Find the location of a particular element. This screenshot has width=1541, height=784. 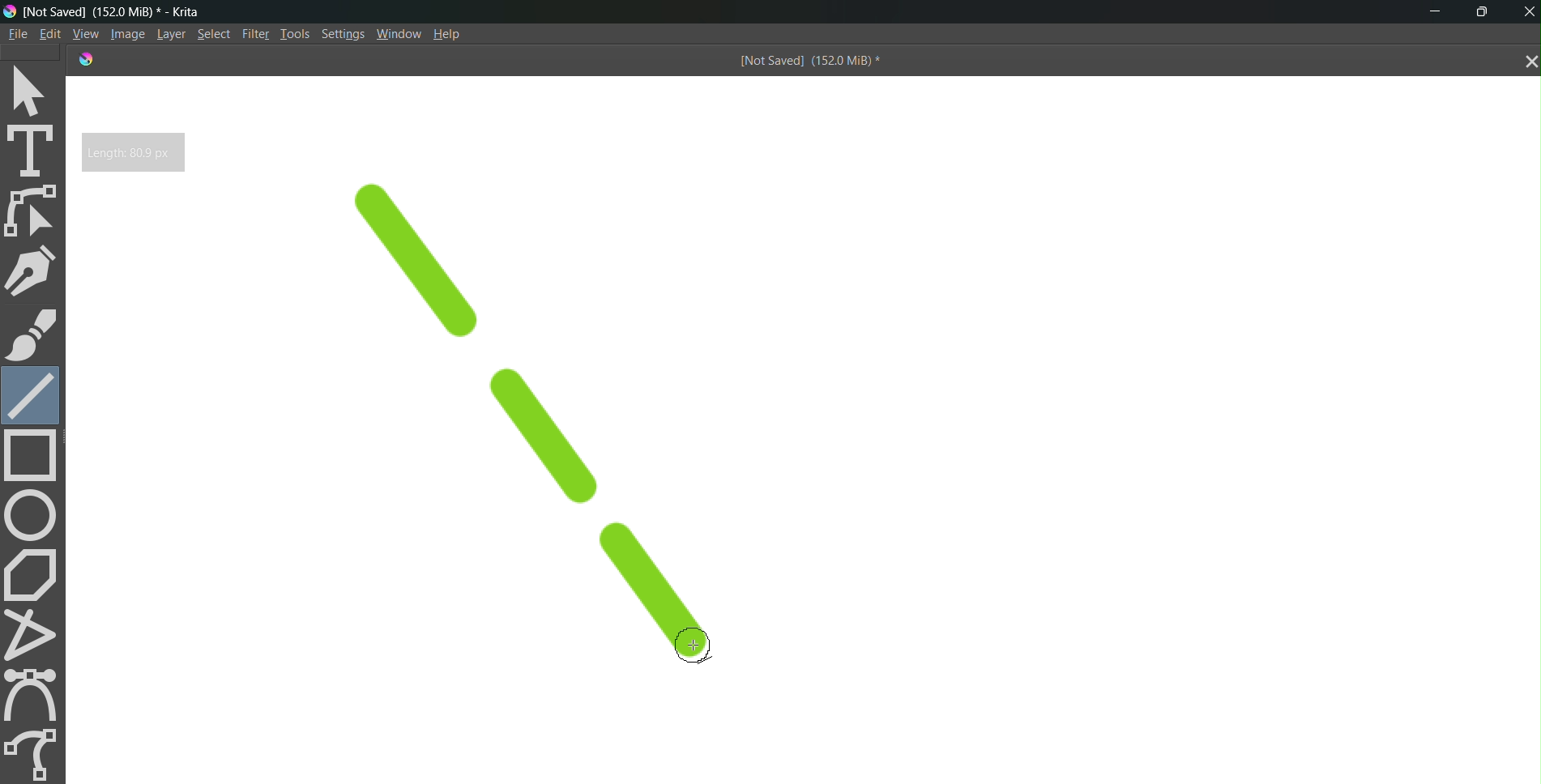

[Not Saved] (151.9 MiB) * is located at coordinates (807, 62).